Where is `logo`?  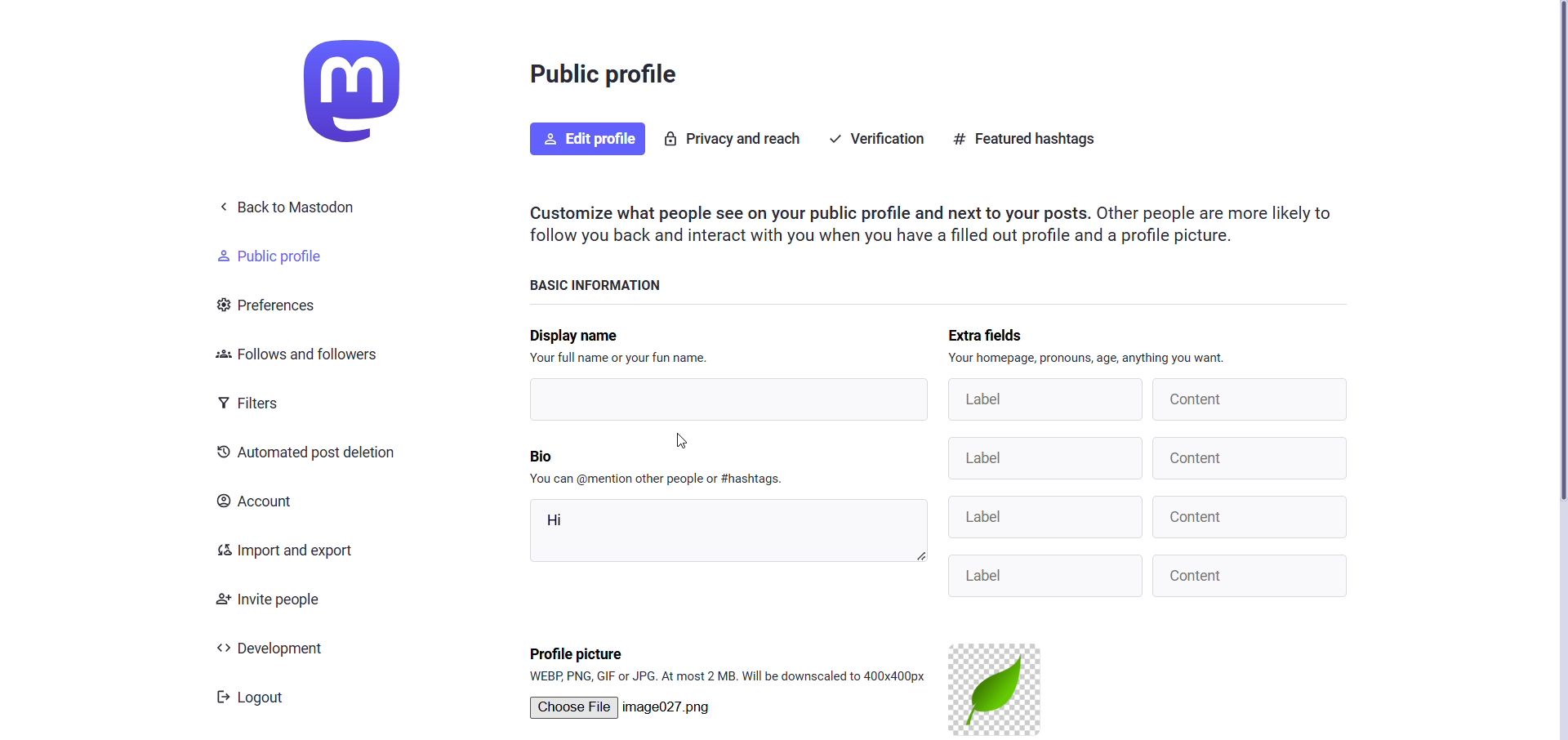
logo is located at coordinates (355, 87).